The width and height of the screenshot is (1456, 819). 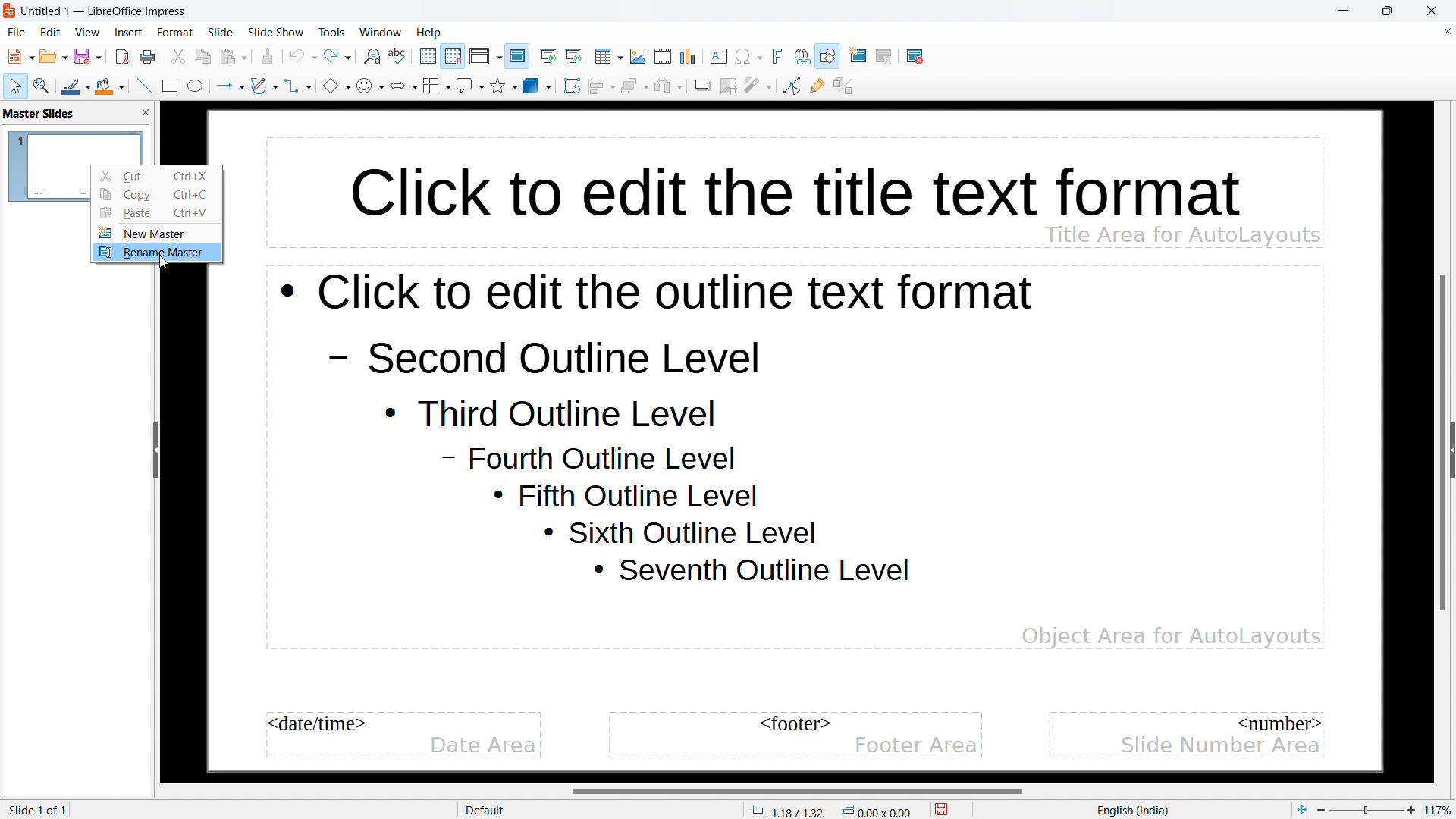 I want to click on fill color, so click(x=111, y=86).